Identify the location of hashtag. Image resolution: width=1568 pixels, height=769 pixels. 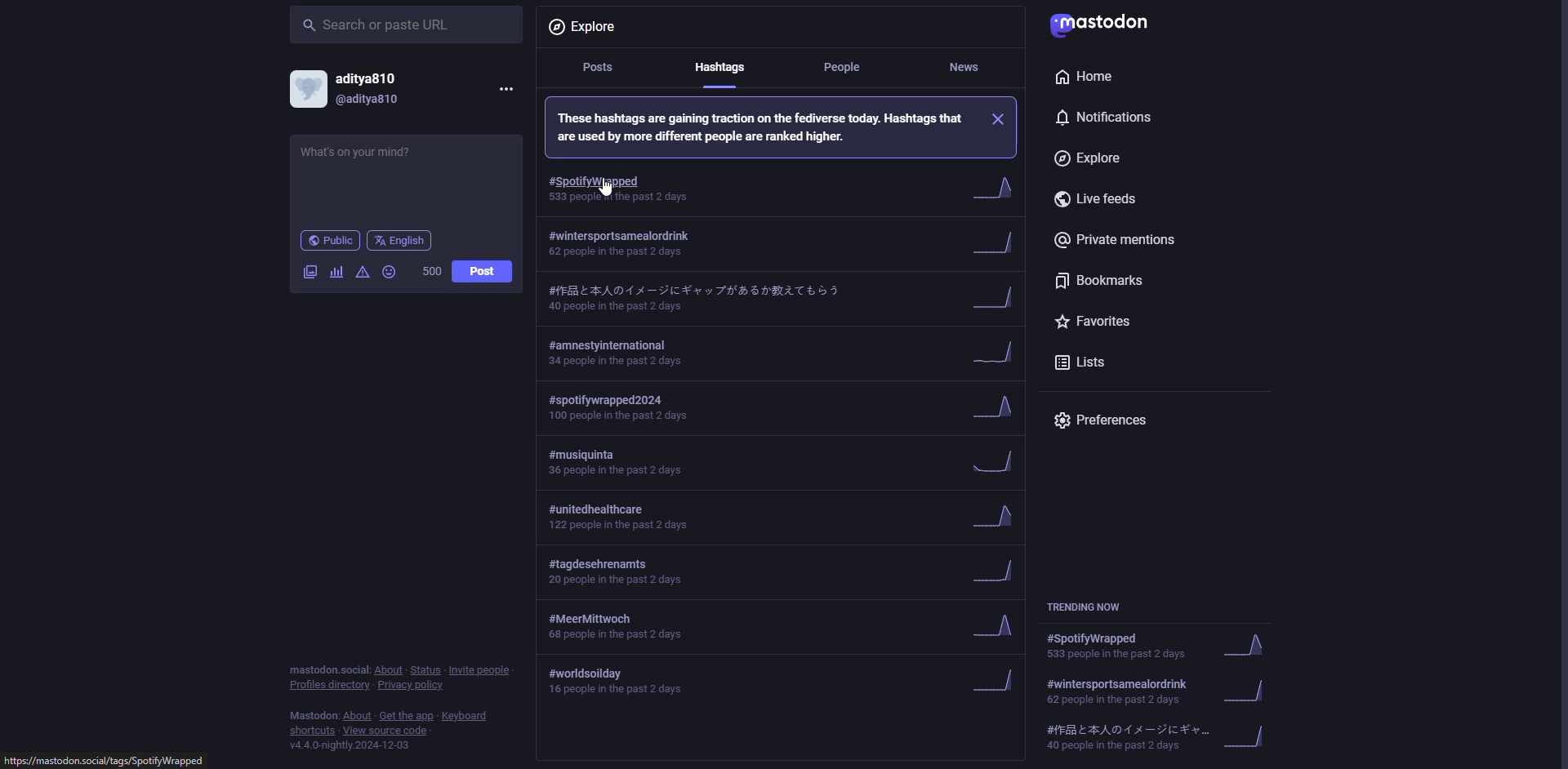
(633, 683).